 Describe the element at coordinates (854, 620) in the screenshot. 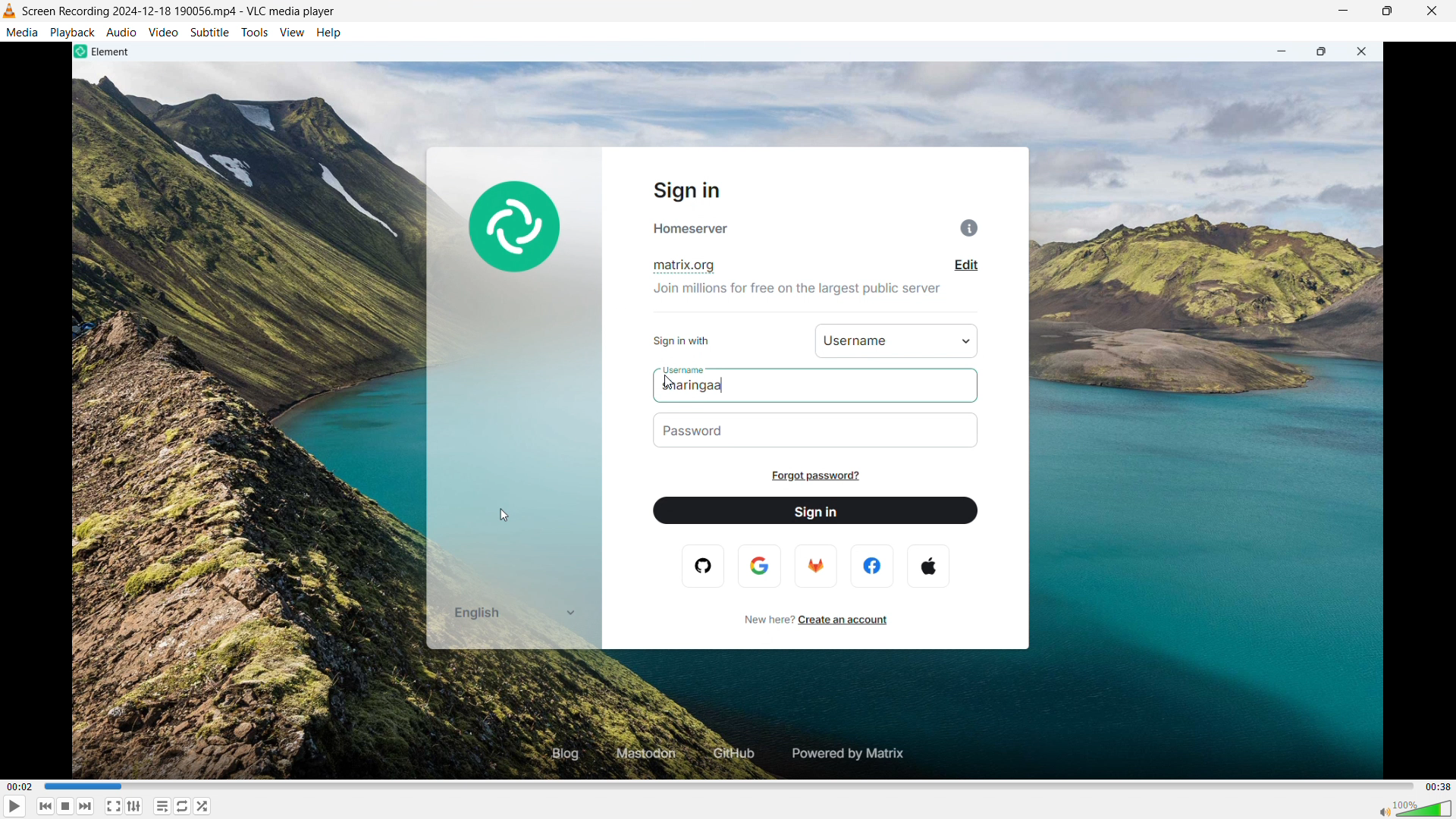

I see `create an account` at that location.